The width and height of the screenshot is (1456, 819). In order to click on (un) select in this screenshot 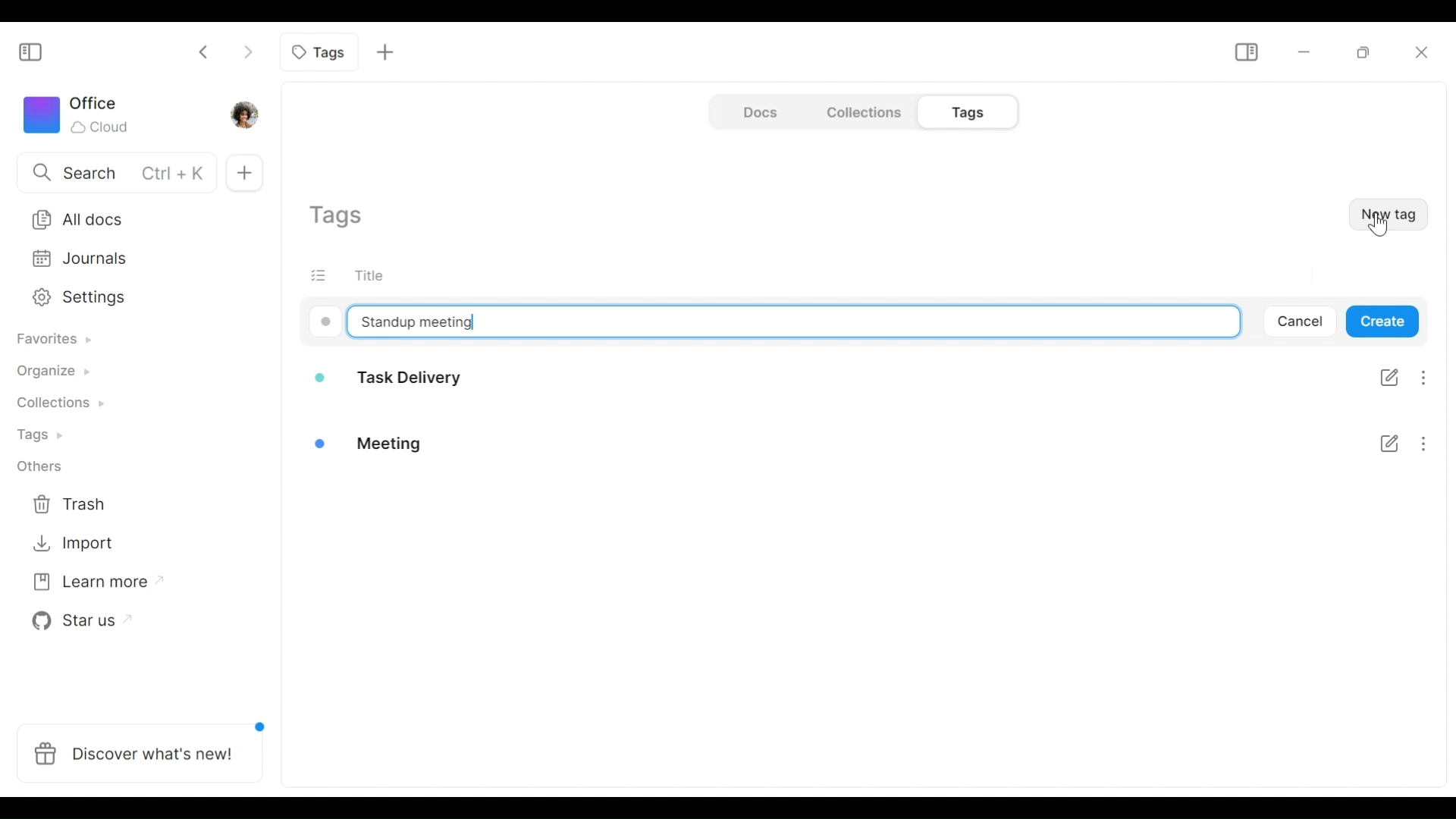, I will do `click(324, 275)`.